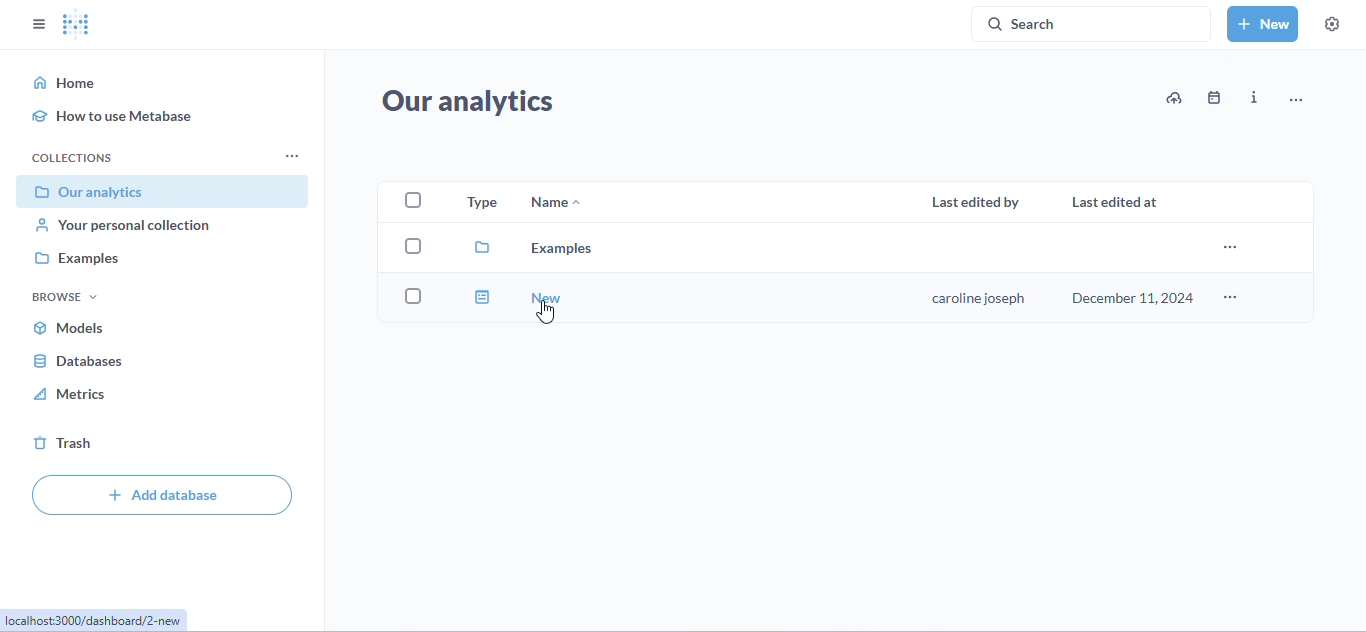 This screenshot has height=632, width=1366. What do you see at coordinates (123, 225) in the screenshot?
I see `your personal collection` at bounding box center [123, 225].